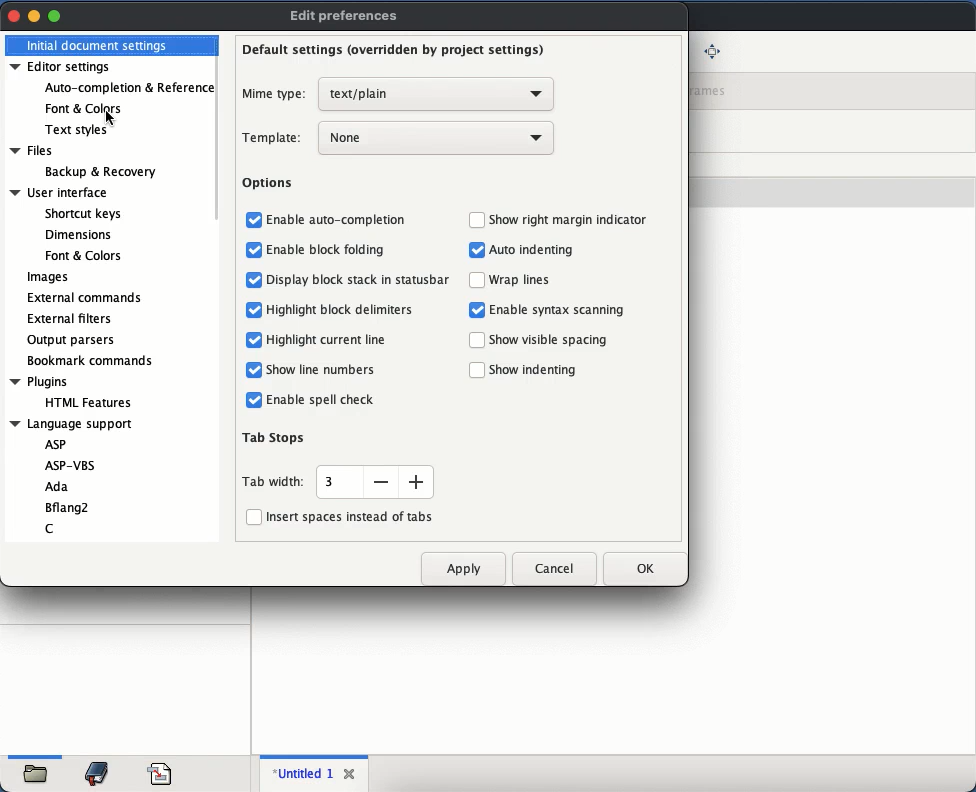 The width and height of the screenshot is (976, 792). What do you see at coordinates (252, 339) in the screenshot?
I see `checkbox` at bounding box center [252, 339].